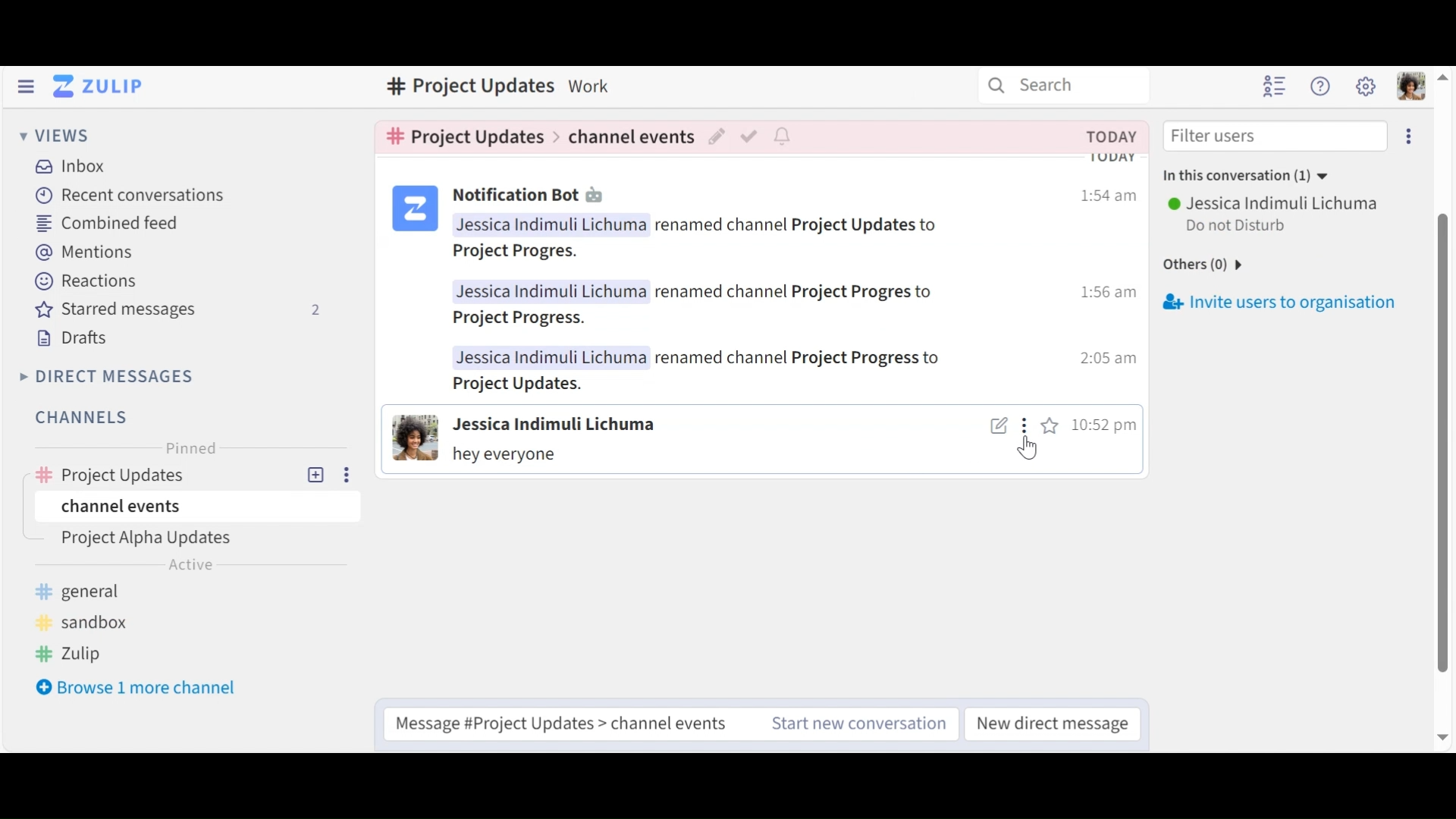 The width and height of the screenshot is (1456, 819). What do you see at coordinates (72, 651) in the screenshot?
I see `zulip` at bounding box center [72, 651].